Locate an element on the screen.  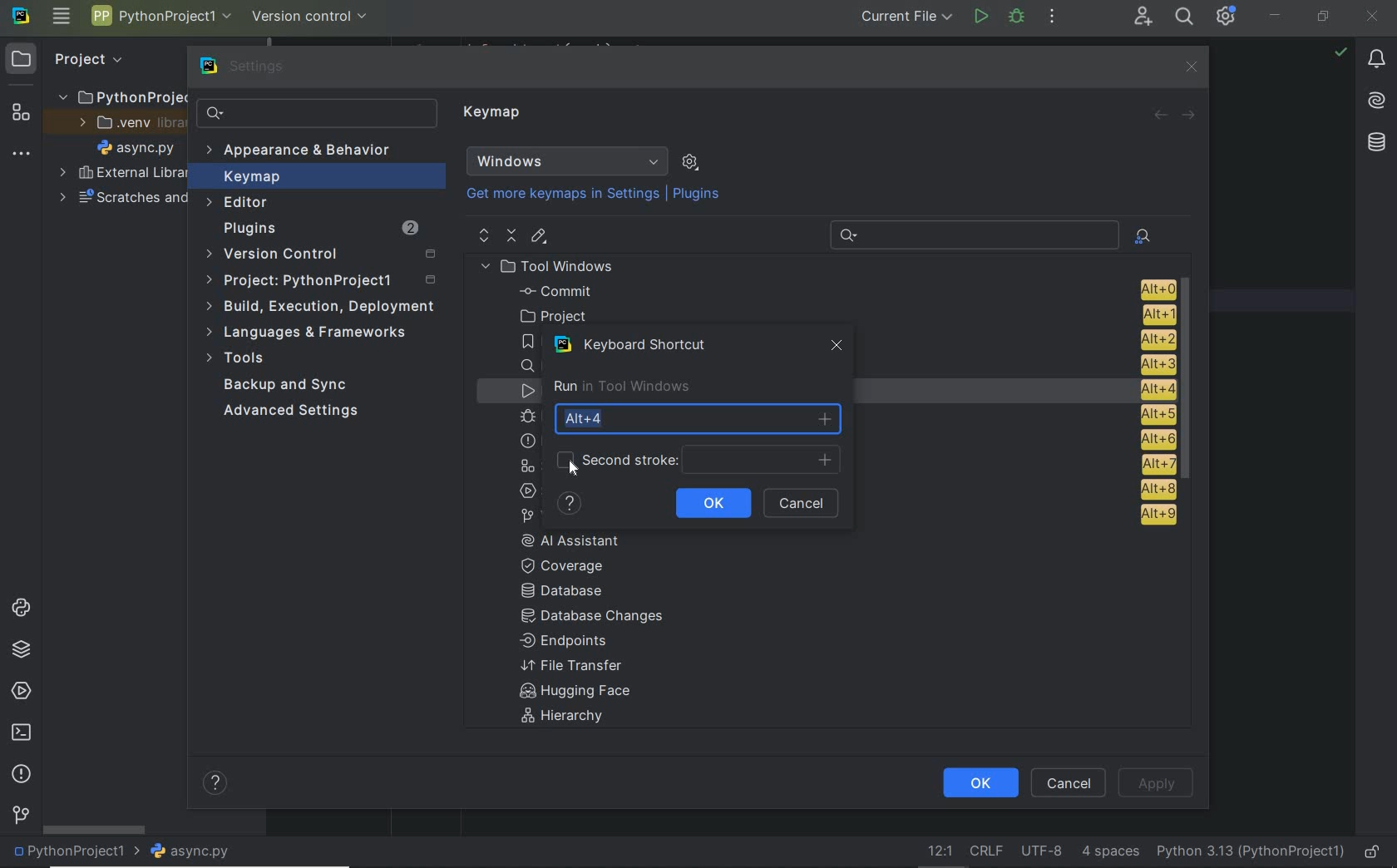
Plugins is located at coordinates (698, 195).